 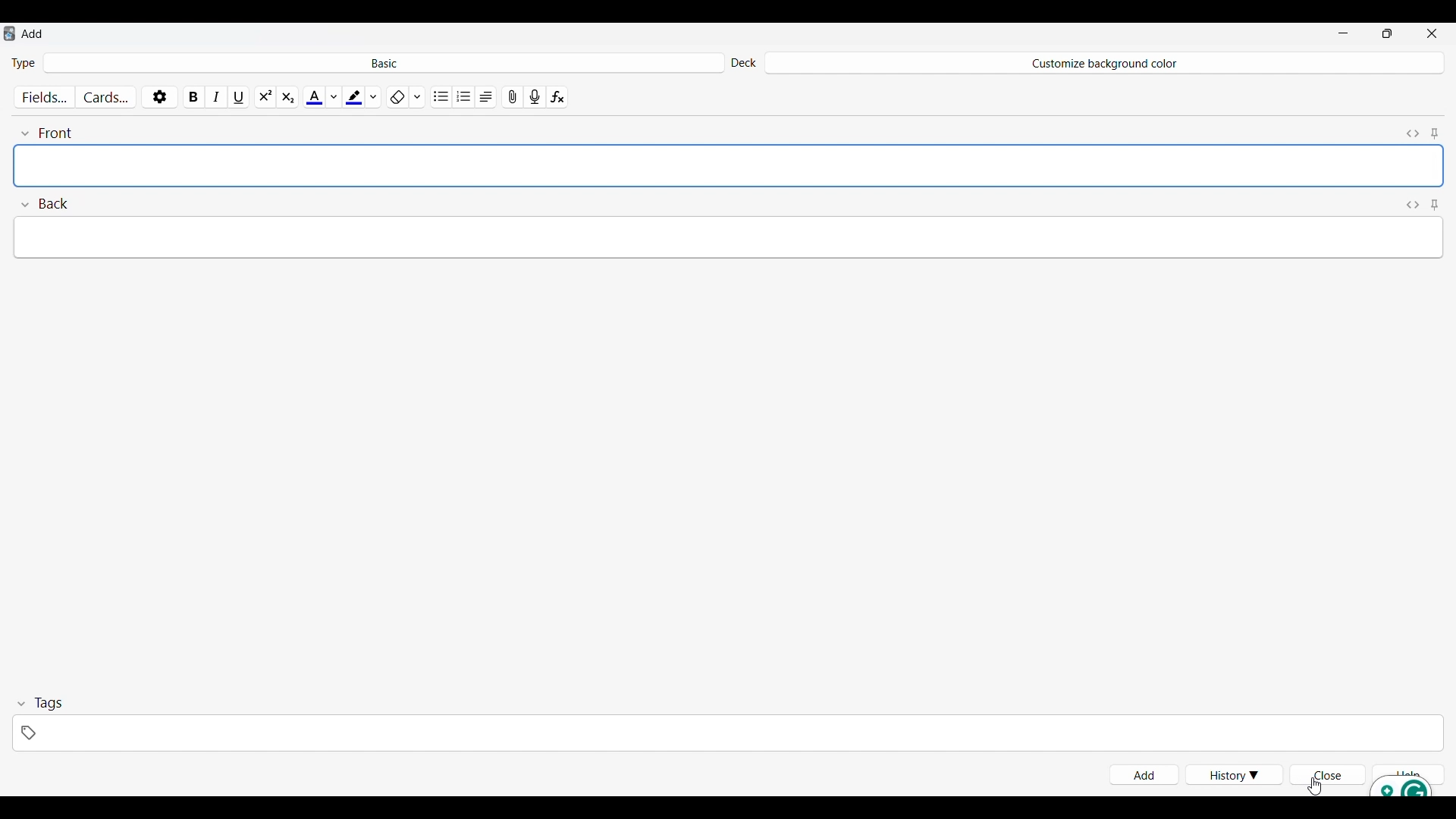 I want to click on Equations, so click(x=557, y=95).